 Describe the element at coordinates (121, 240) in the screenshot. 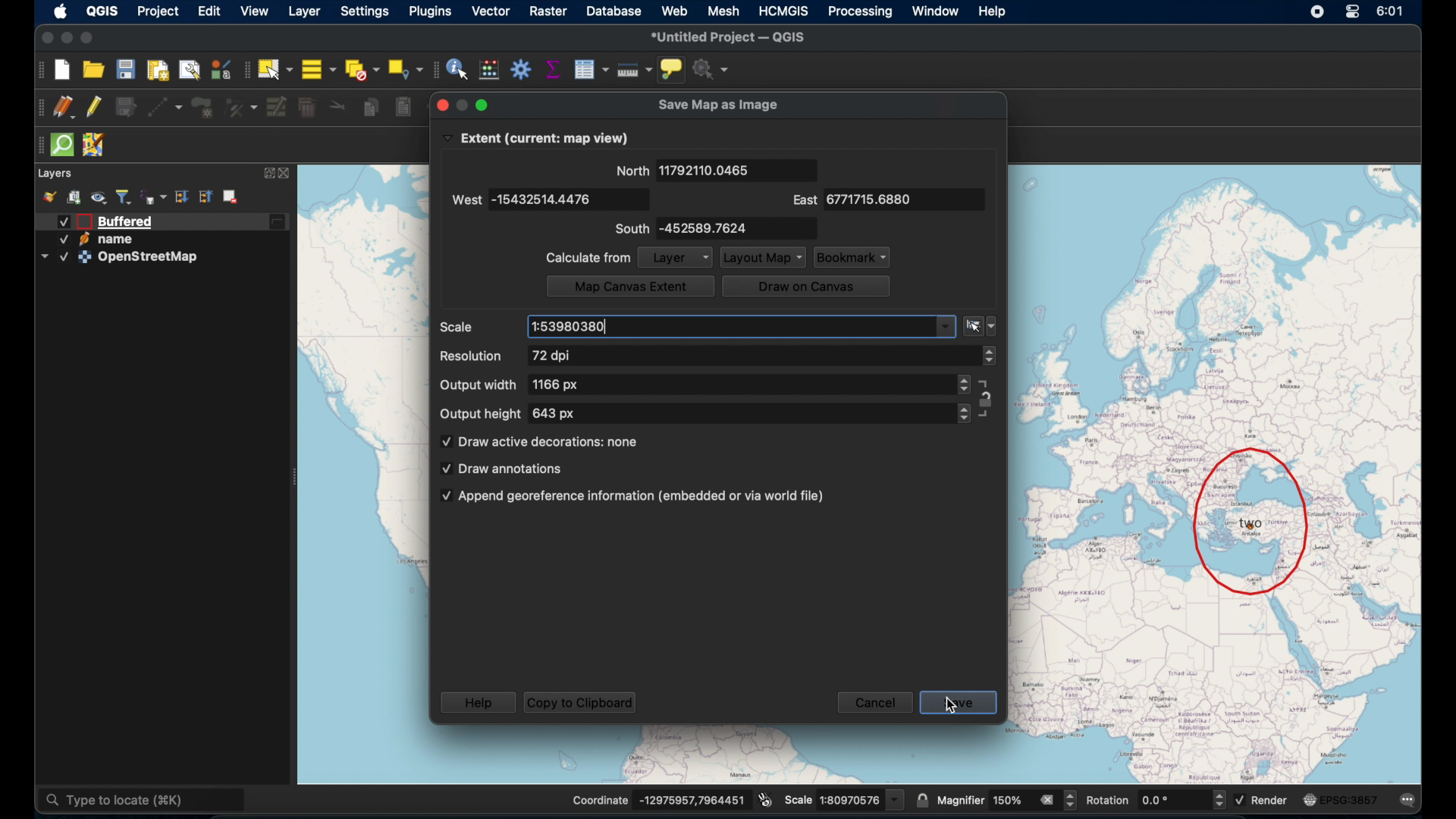

I see `name` at that location.